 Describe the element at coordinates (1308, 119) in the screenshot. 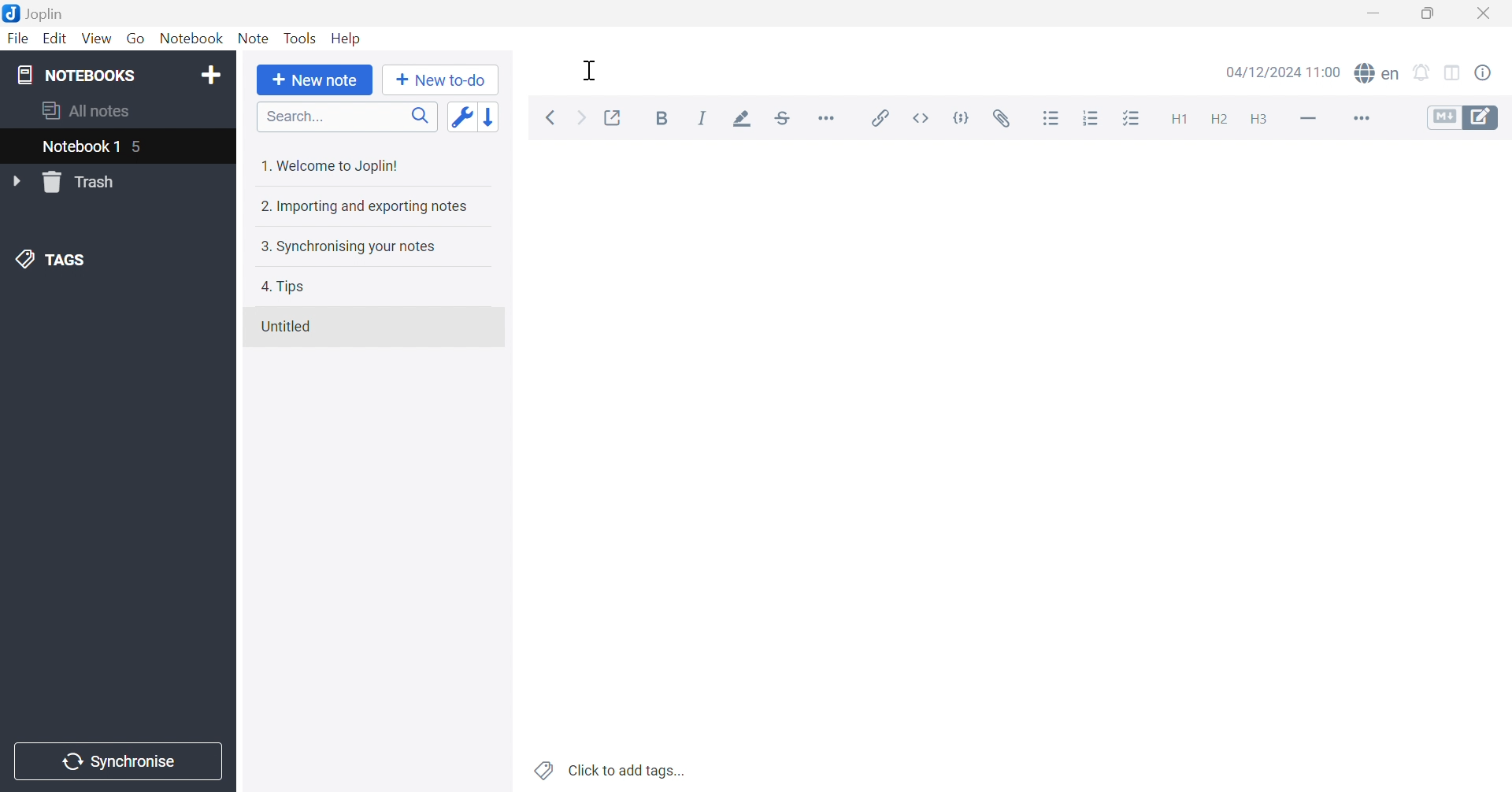

I see `Horizontal line` at that location.